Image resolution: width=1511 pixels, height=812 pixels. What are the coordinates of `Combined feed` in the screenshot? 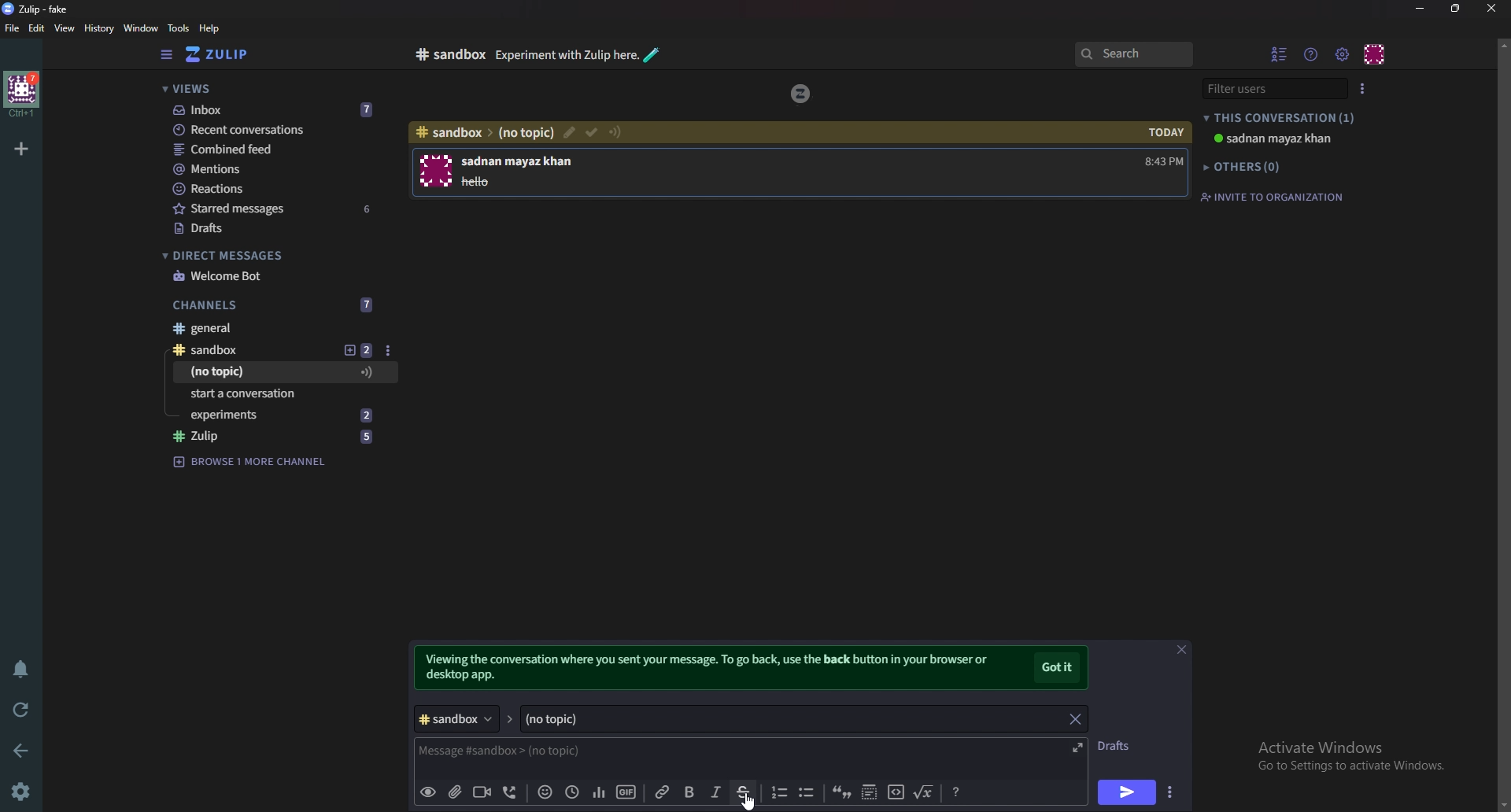 It's located at (268, 148).